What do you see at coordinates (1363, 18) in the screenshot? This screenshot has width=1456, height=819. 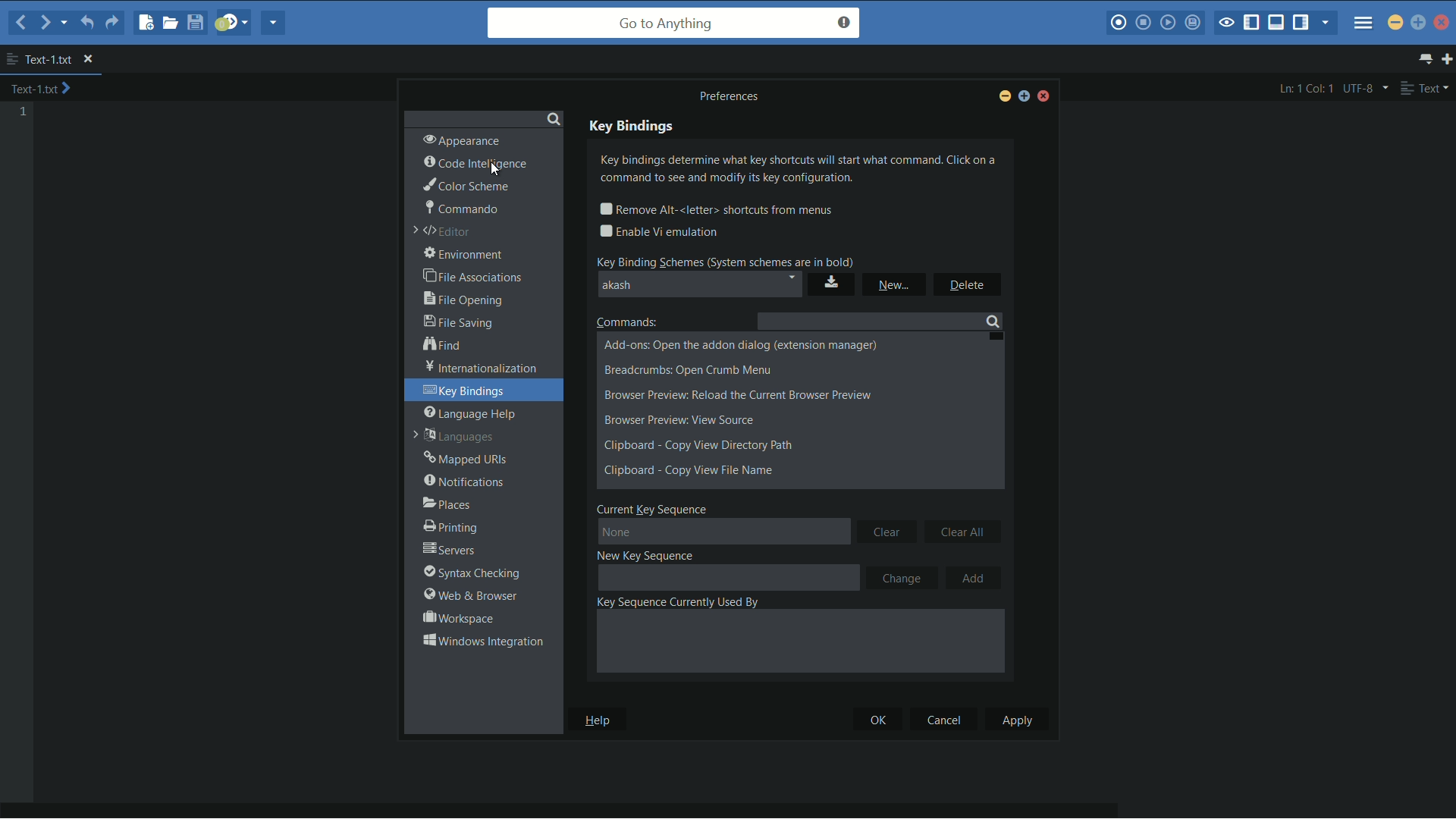 I see `menu` at bounding box center [1363, 18].